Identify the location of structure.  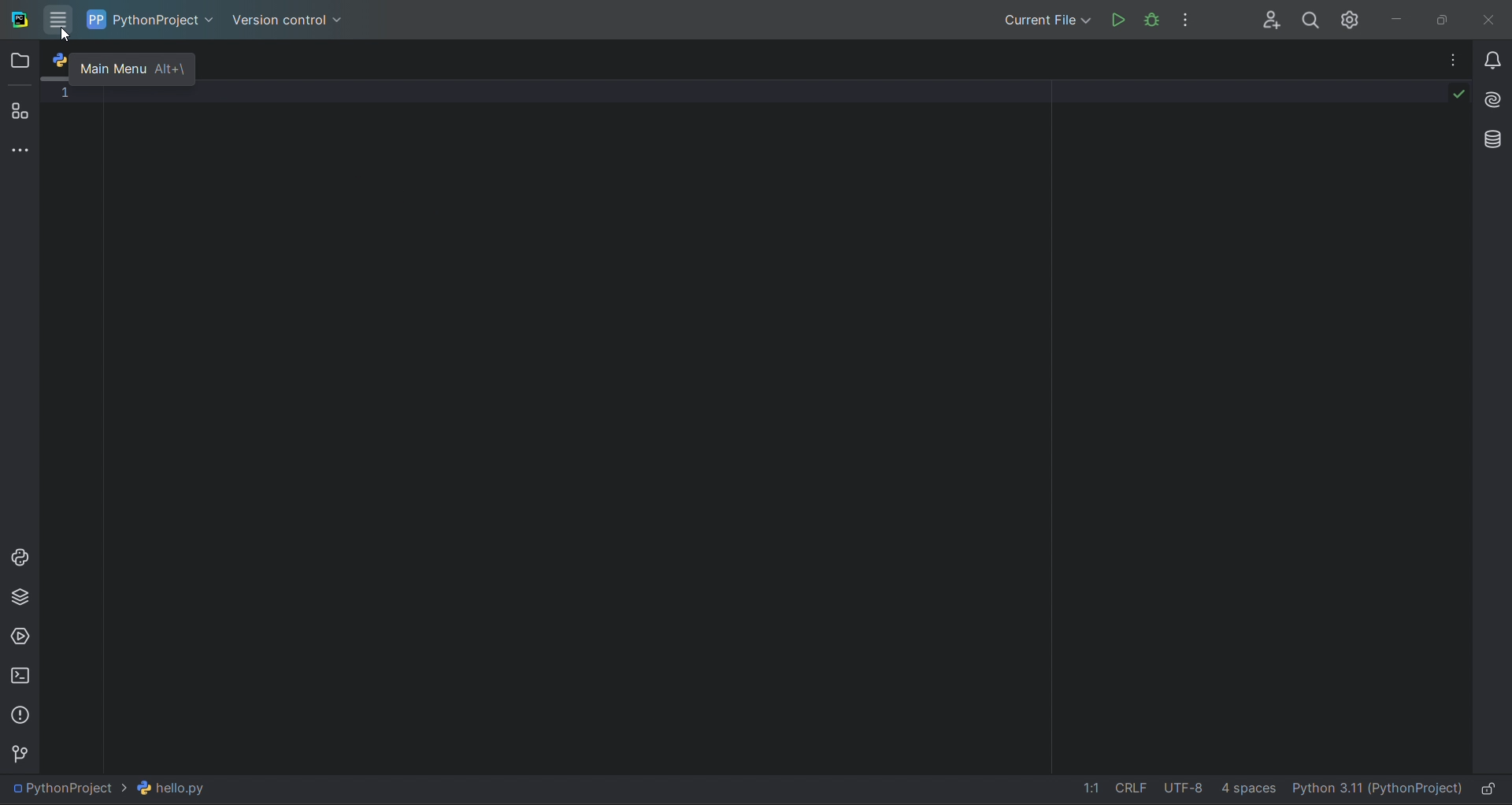
(20, 112).